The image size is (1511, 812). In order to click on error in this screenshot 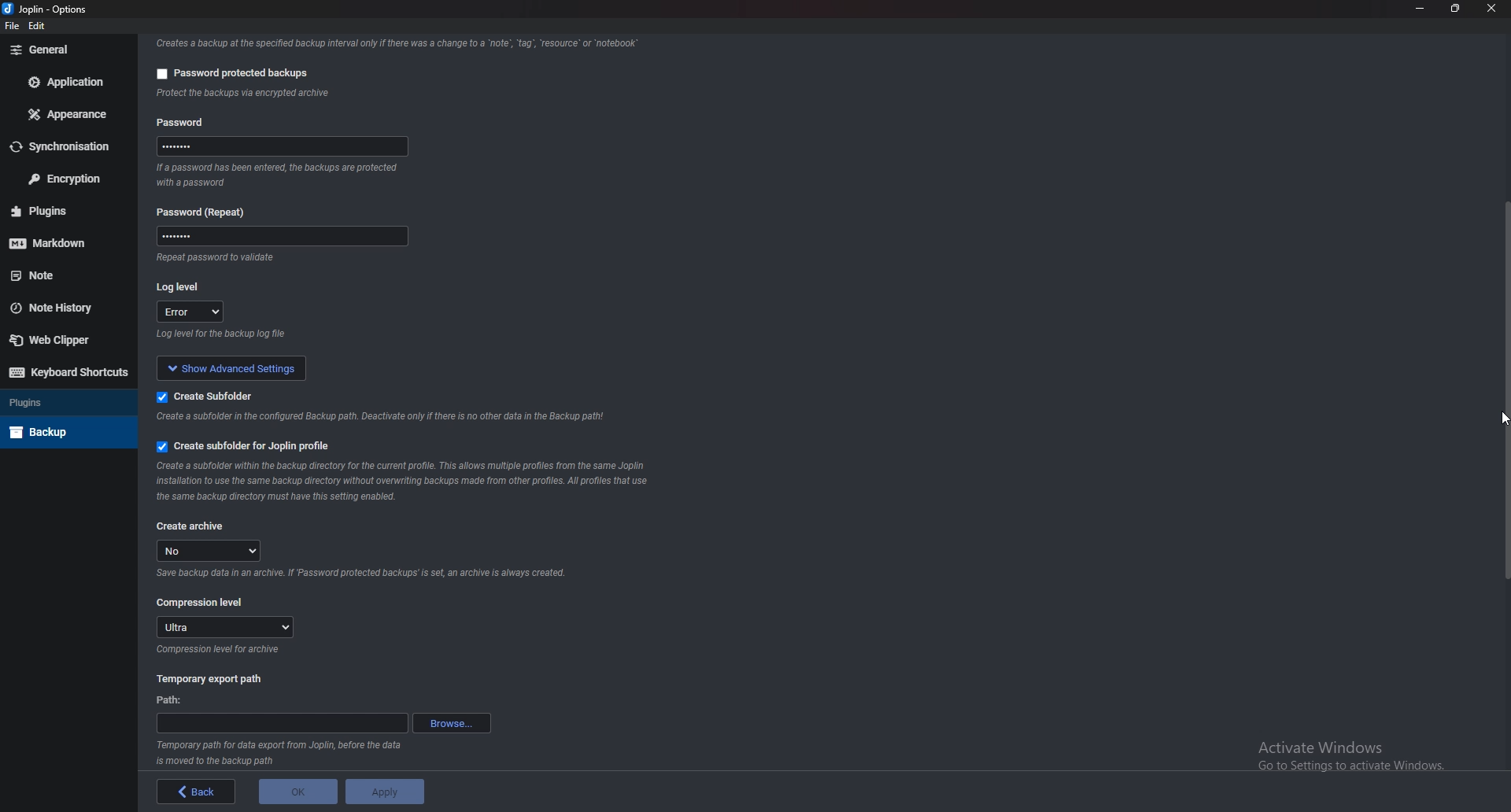, I will do `click(192, 313)`.